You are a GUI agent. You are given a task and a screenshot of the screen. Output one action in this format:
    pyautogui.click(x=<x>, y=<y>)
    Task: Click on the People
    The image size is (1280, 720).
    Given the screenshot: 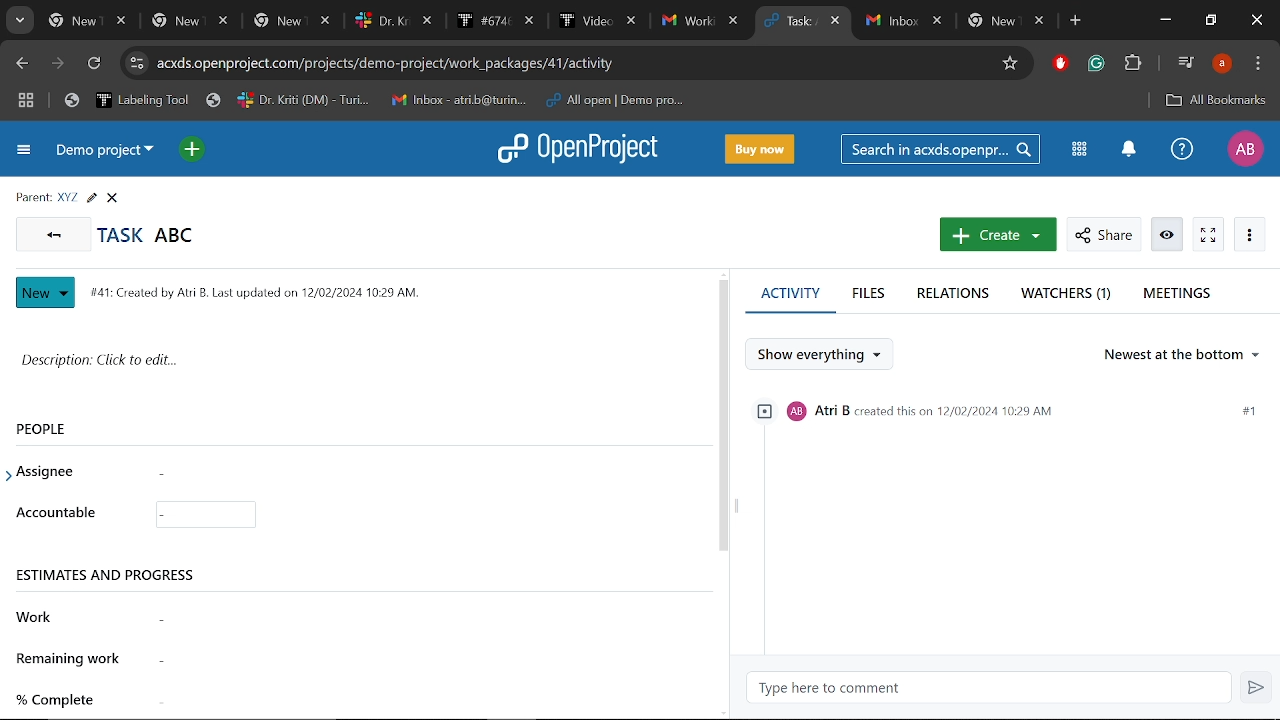 What is the action you would take?
    pyautogui.click(x=99, y=429)
    